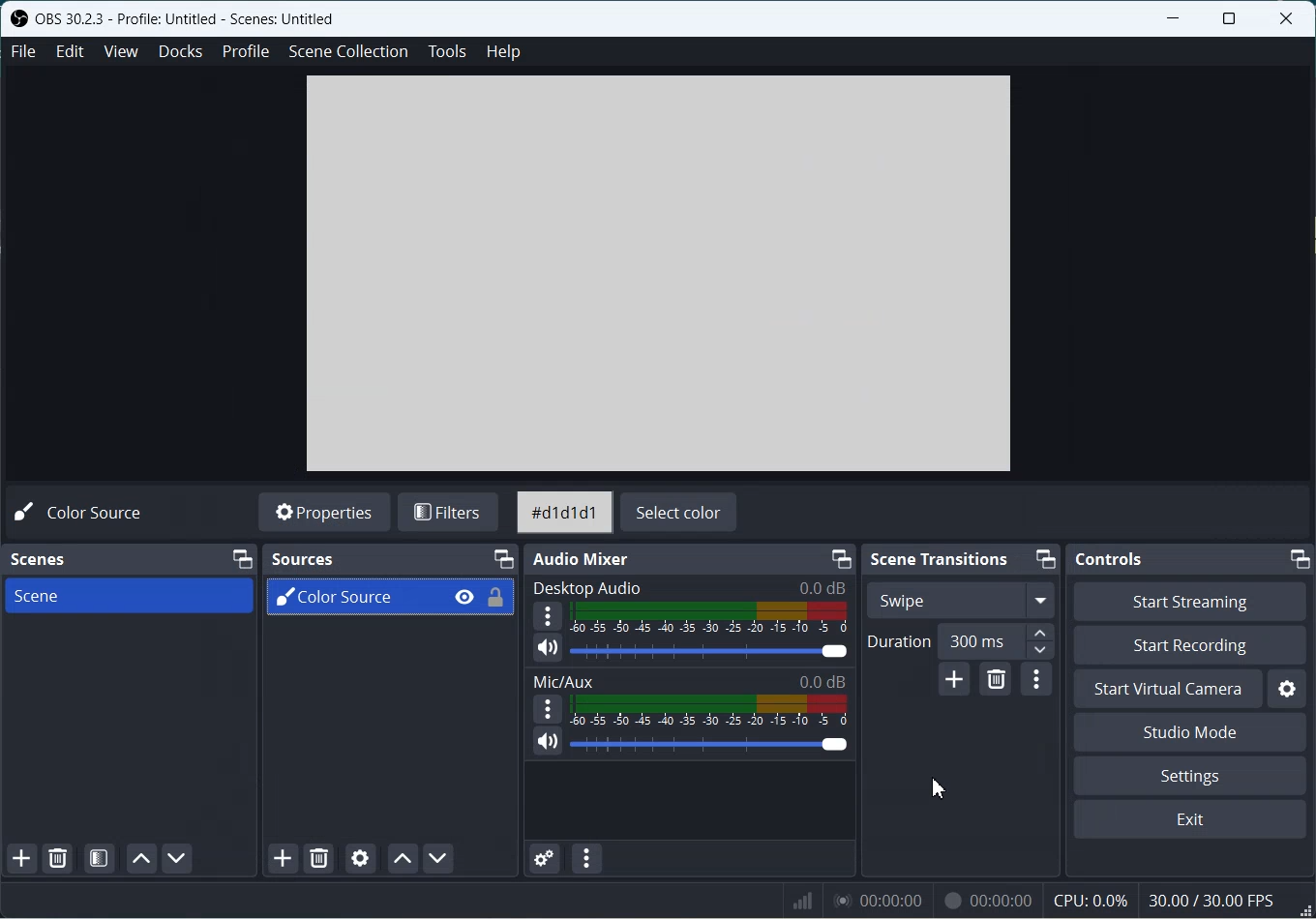  Describe the element at coordinates (896, 641) in the screenshot. I see `Duration` at that location.